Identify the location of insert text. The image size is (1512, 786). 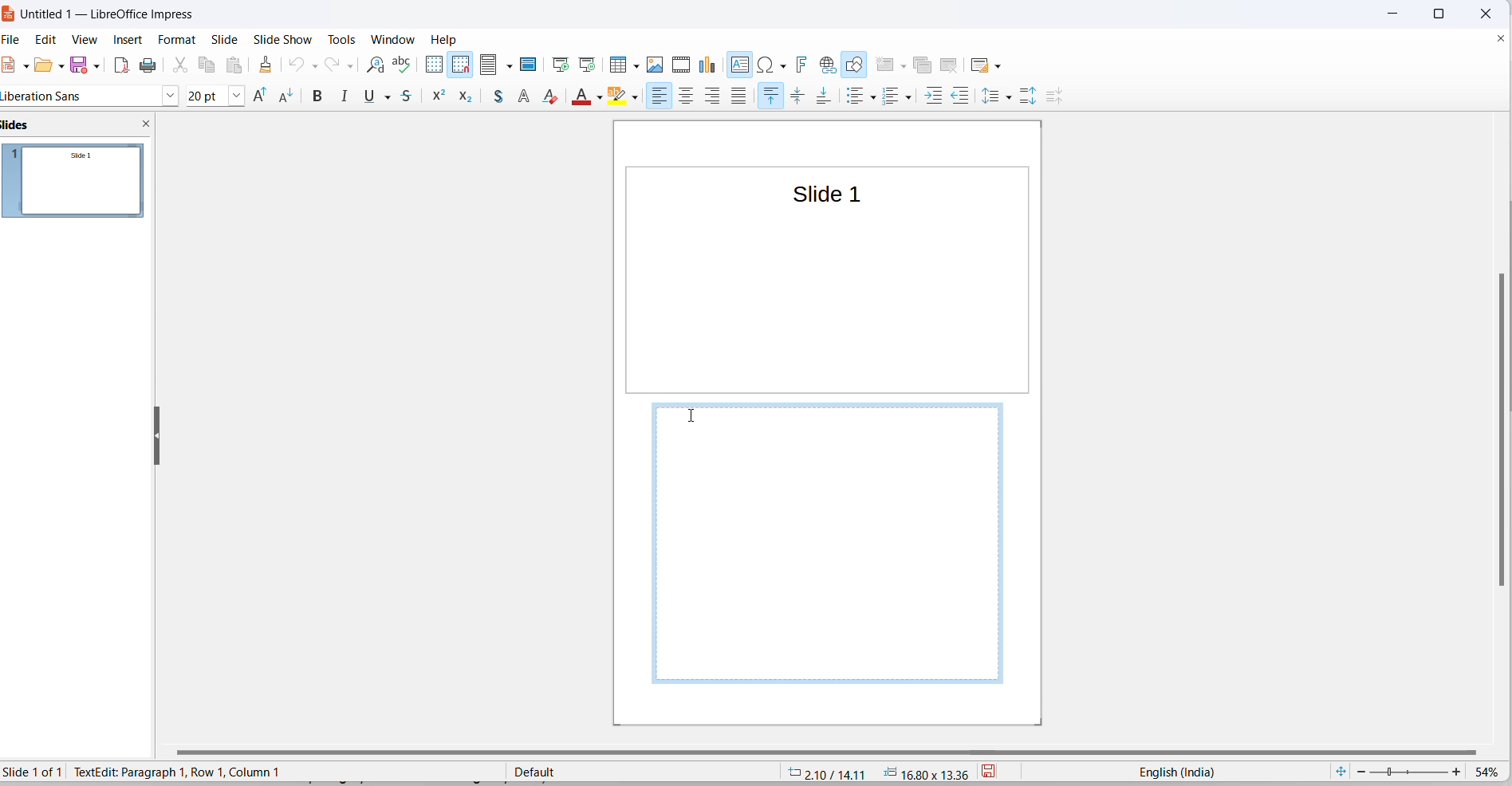
(741, 65).